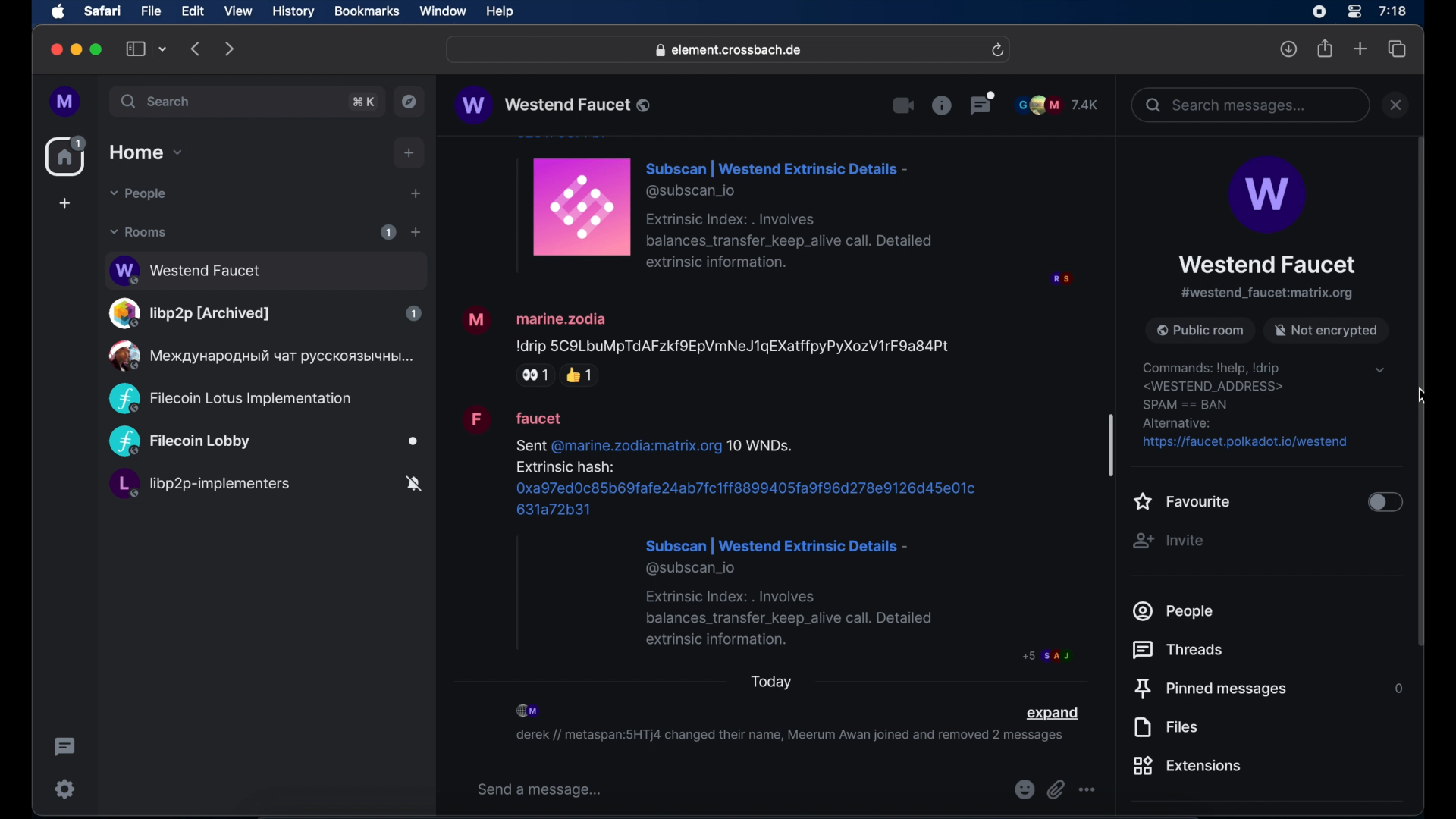 This screenshot has height=819, width=1456. What do you see at coordinates (1249, 105) in the screenshot?
I see `search messages` at bounding box center [1249, 105].